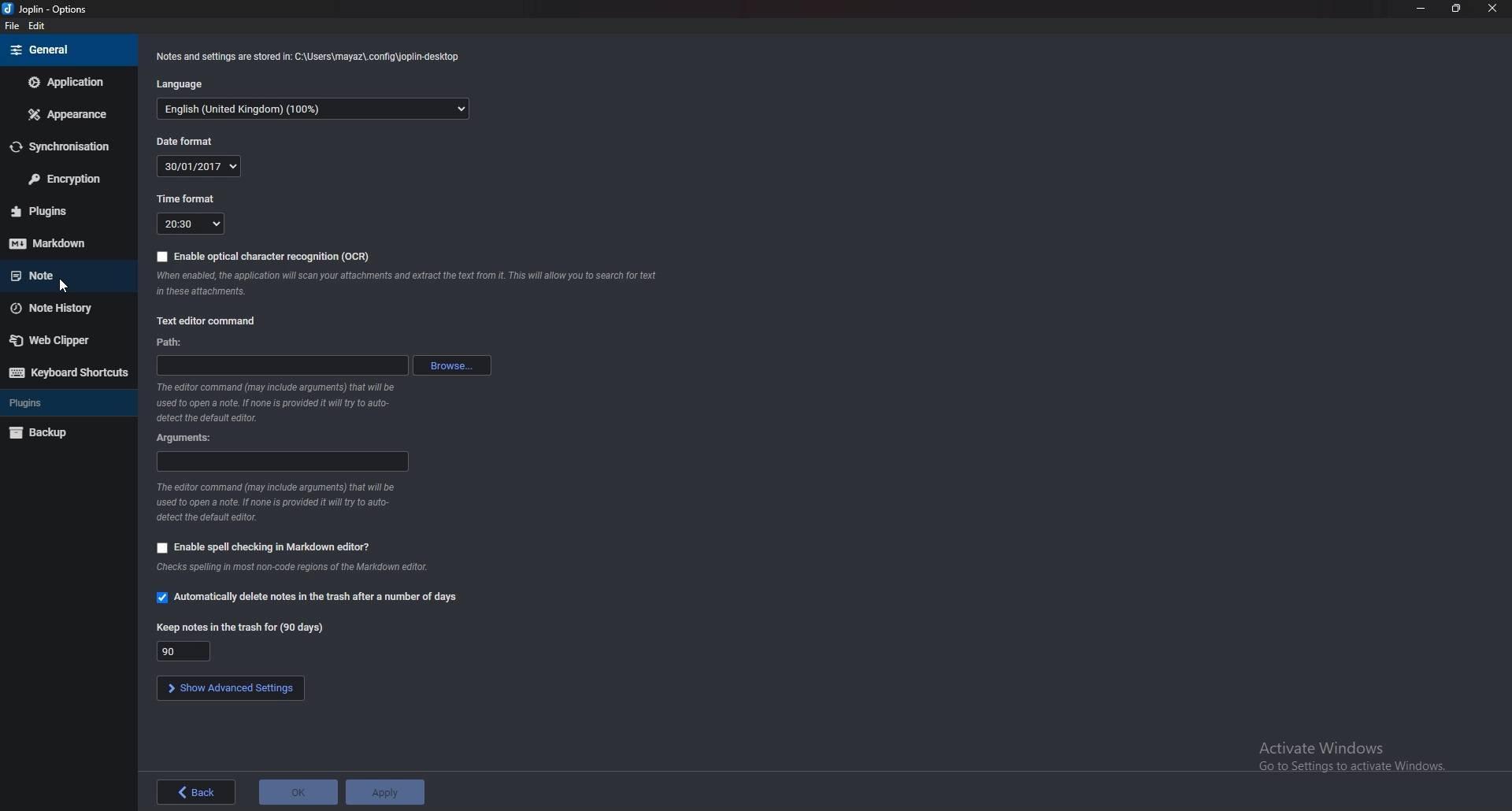  Describe the element at coordinates (183, 437) in the screenshot. I see `Arguments` at that location.